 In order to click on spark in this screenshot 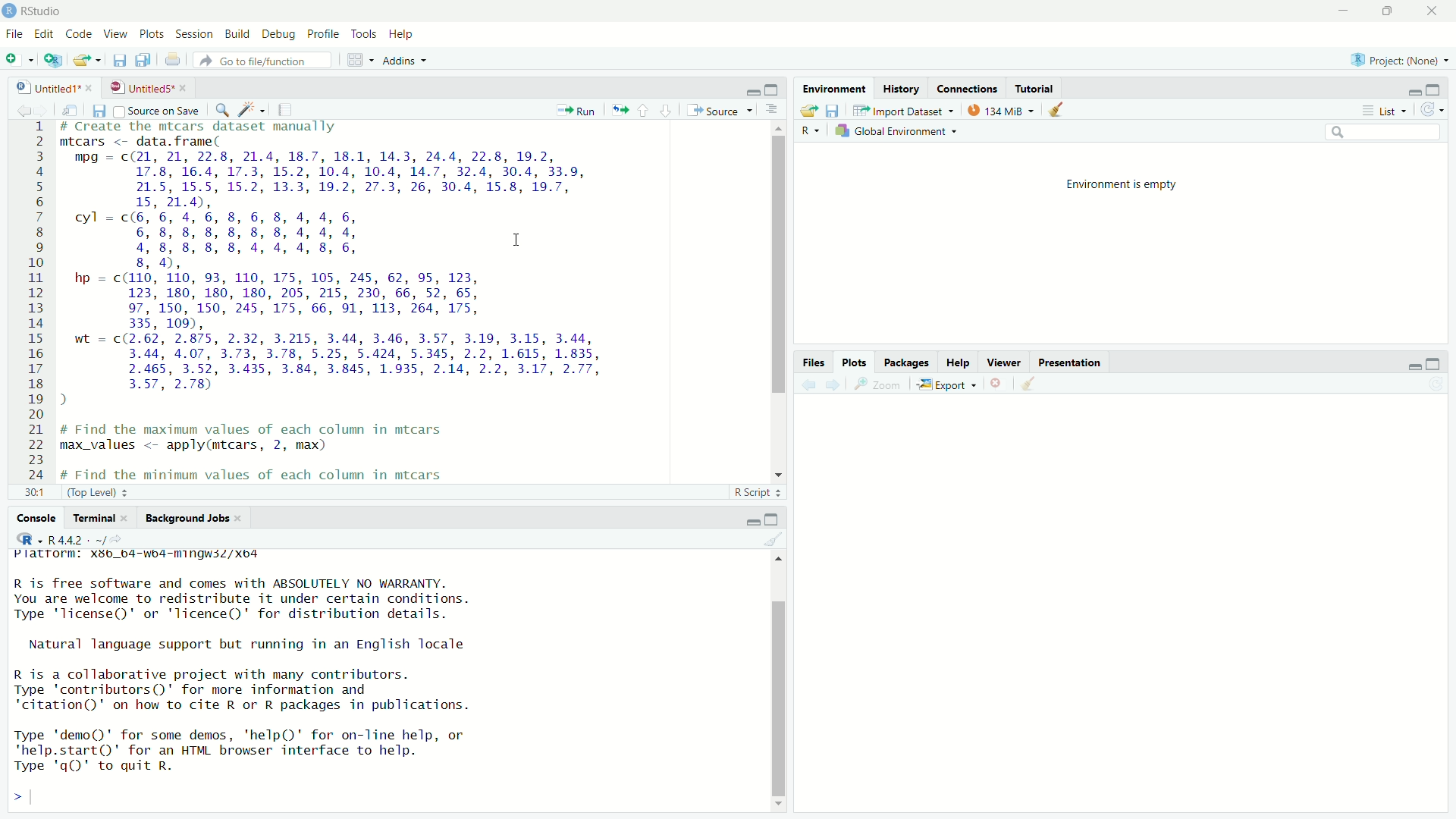, I will do `click(253, 111)`.